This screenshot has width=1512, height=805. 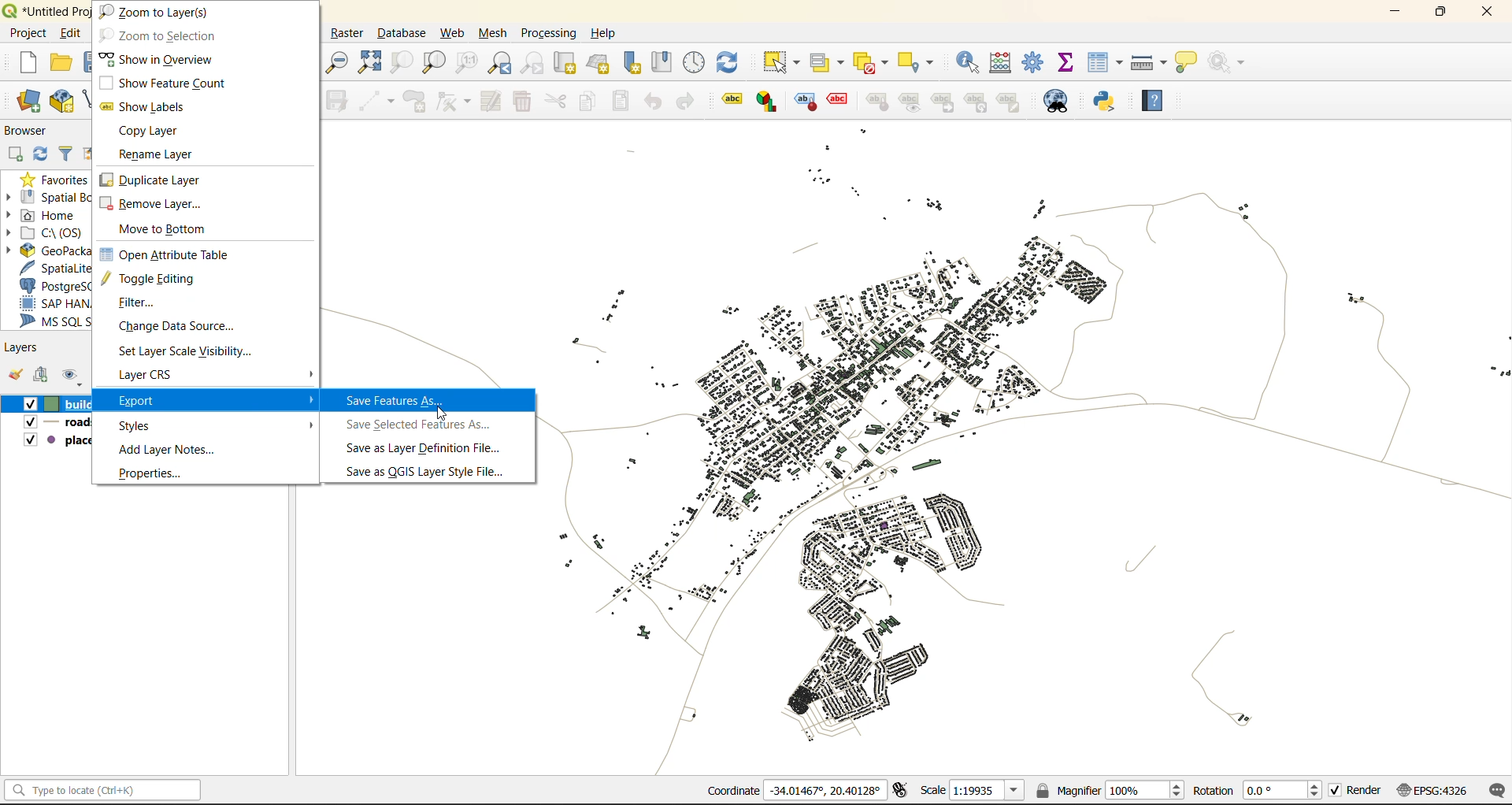 What do you see at coordinates (161, 401) in the screenshot?
I see `export` at bounding box center [161, 401].